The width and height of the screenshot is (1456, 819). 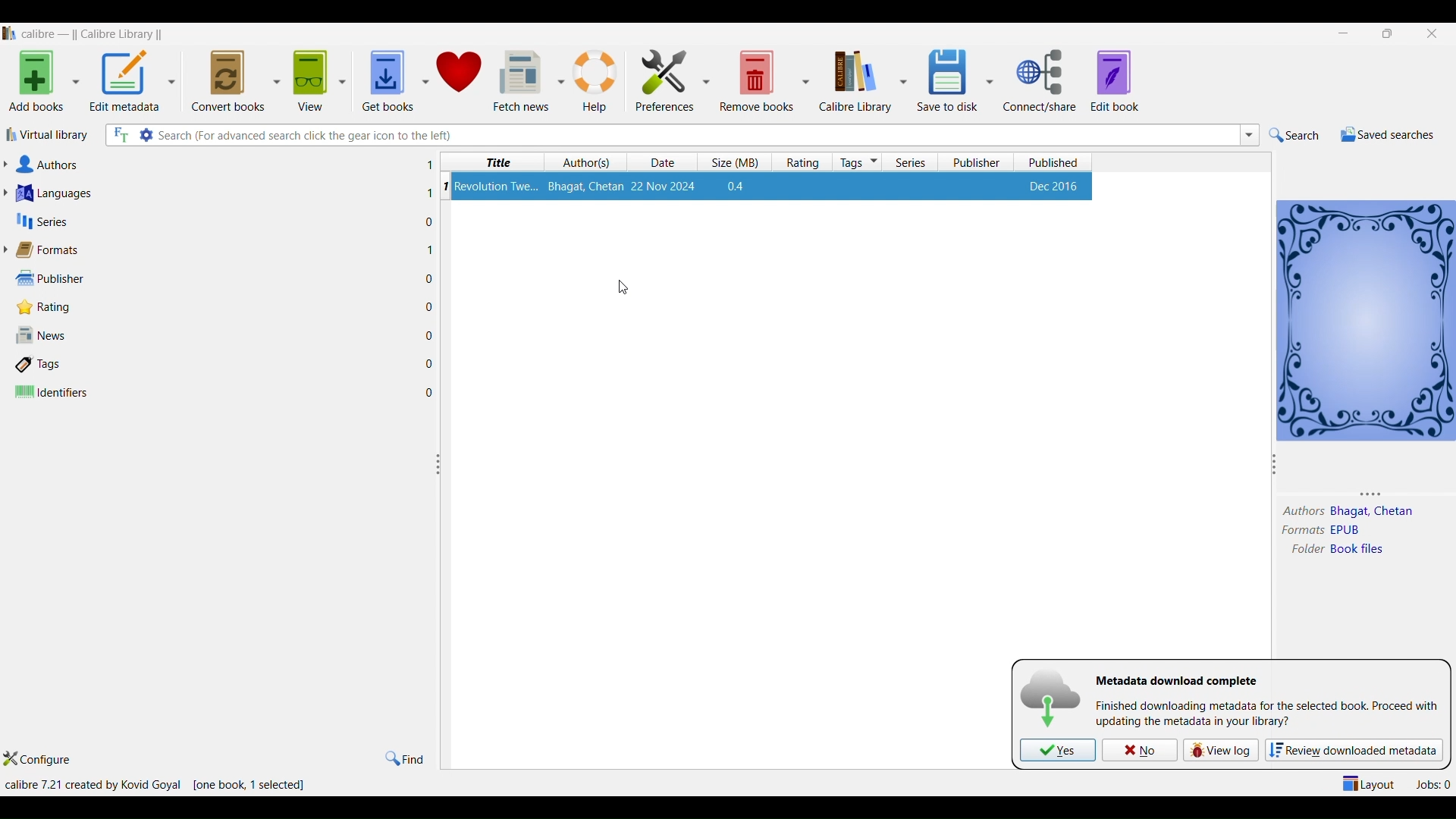 I want to click on preferences options dropdown button, so click(x=708, y=80).